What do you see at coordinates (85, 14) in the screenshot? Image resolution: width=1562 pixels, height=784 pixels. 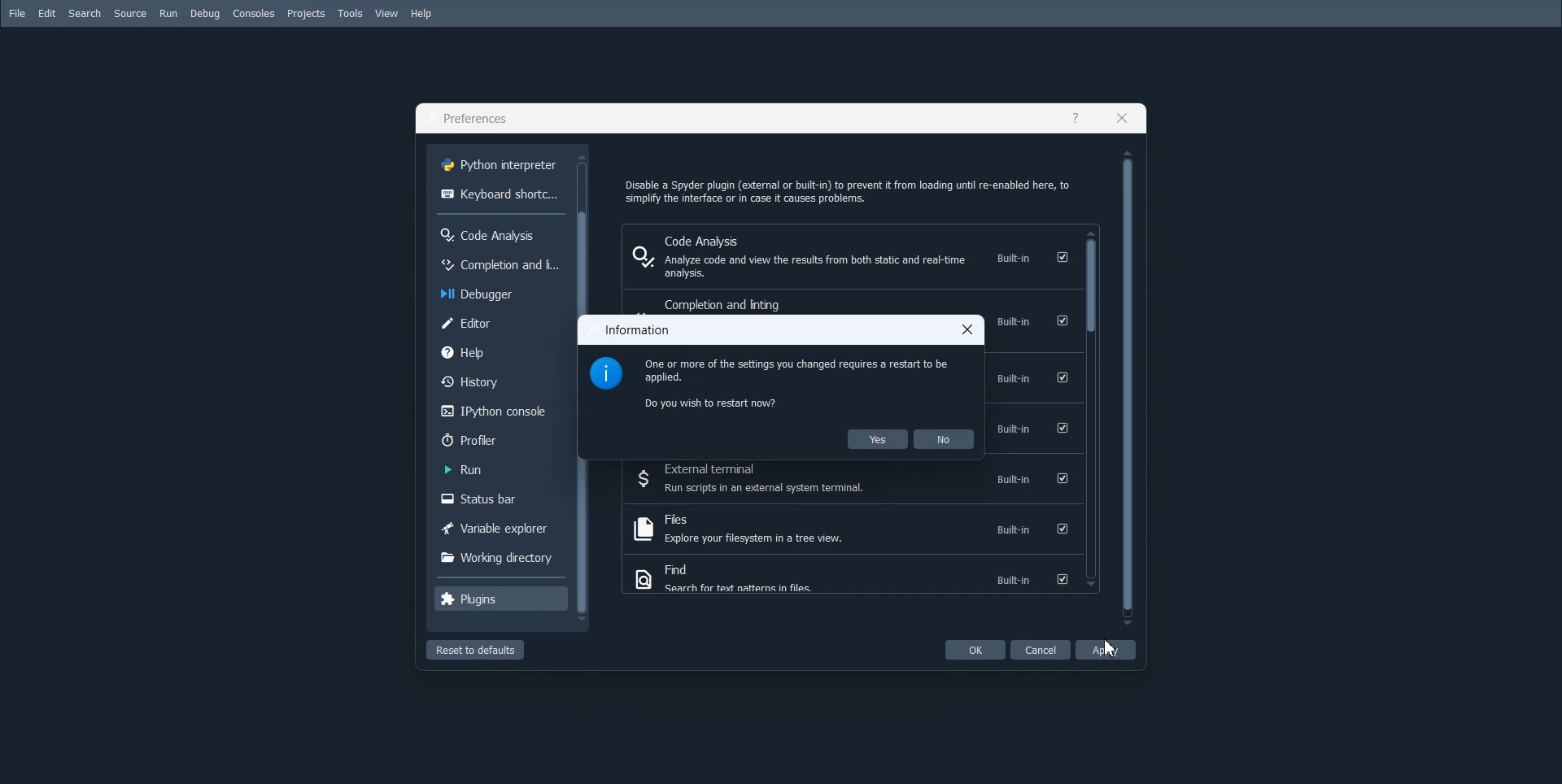 I see `Search` at bounding box center [85, 14].